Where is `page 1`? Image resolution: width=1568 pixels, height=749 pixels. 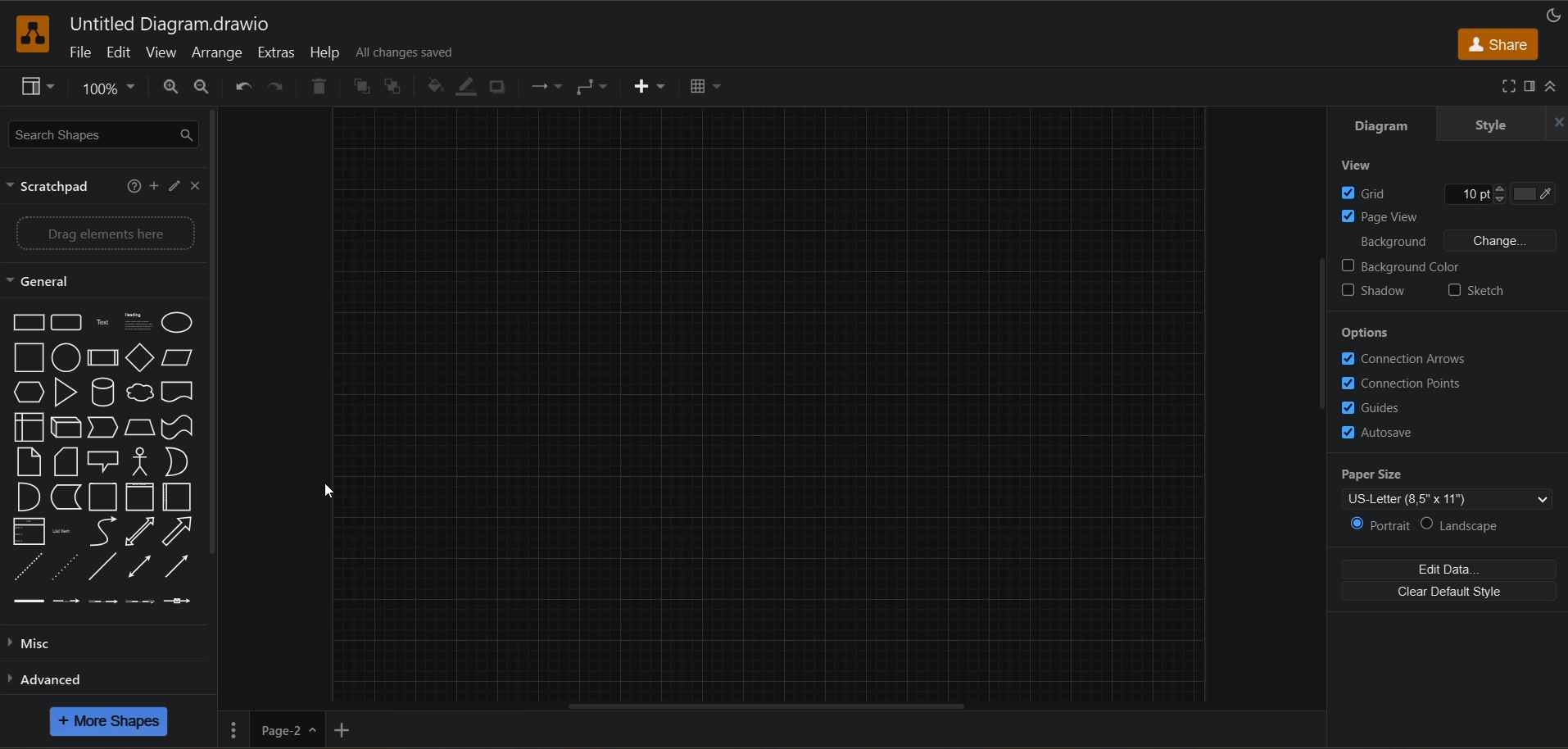 page 1 is located at coordinates (283, 730).